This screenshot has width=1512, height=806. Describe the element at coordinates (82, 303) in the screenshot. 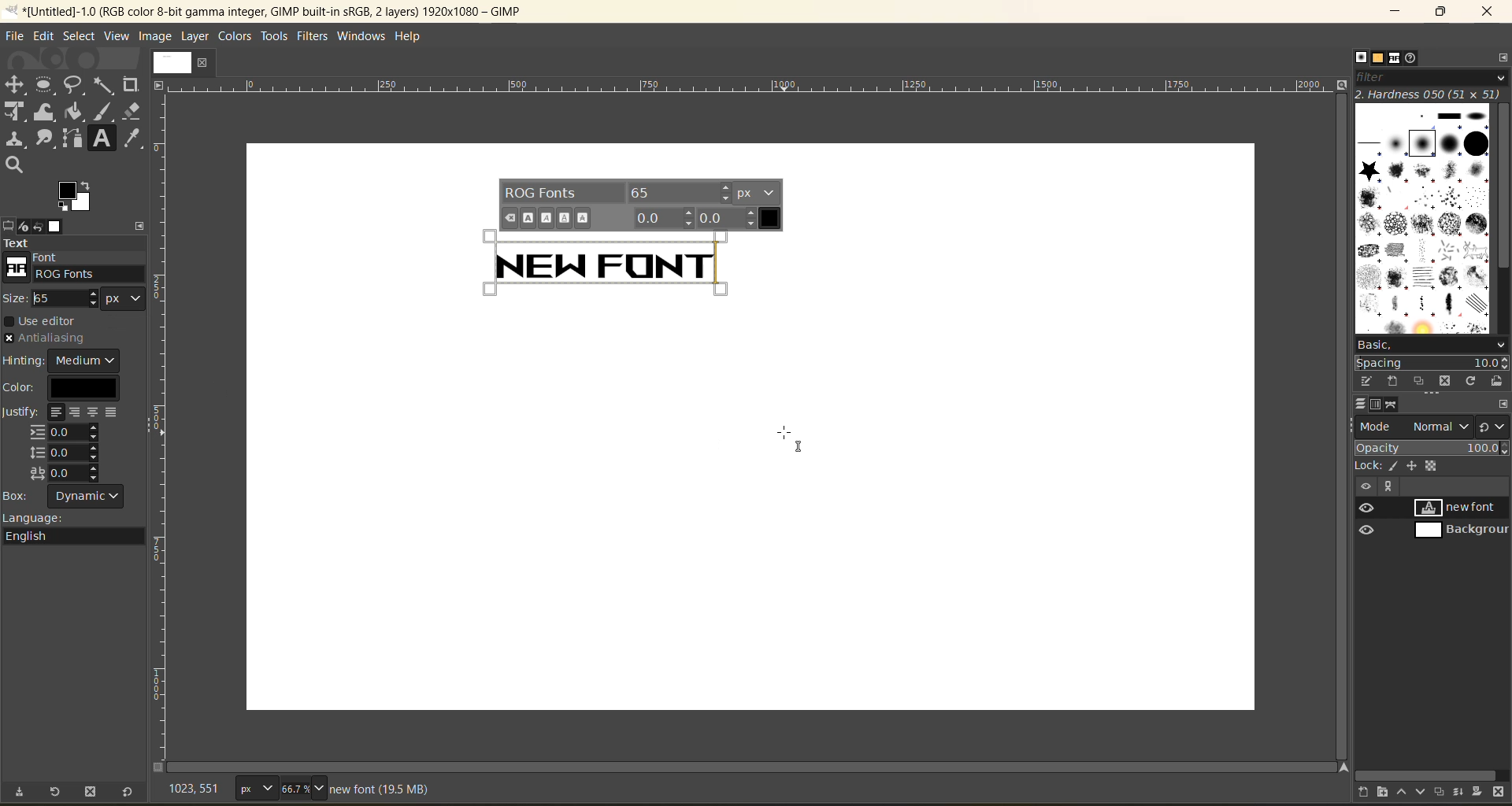

I see `size` at that location.